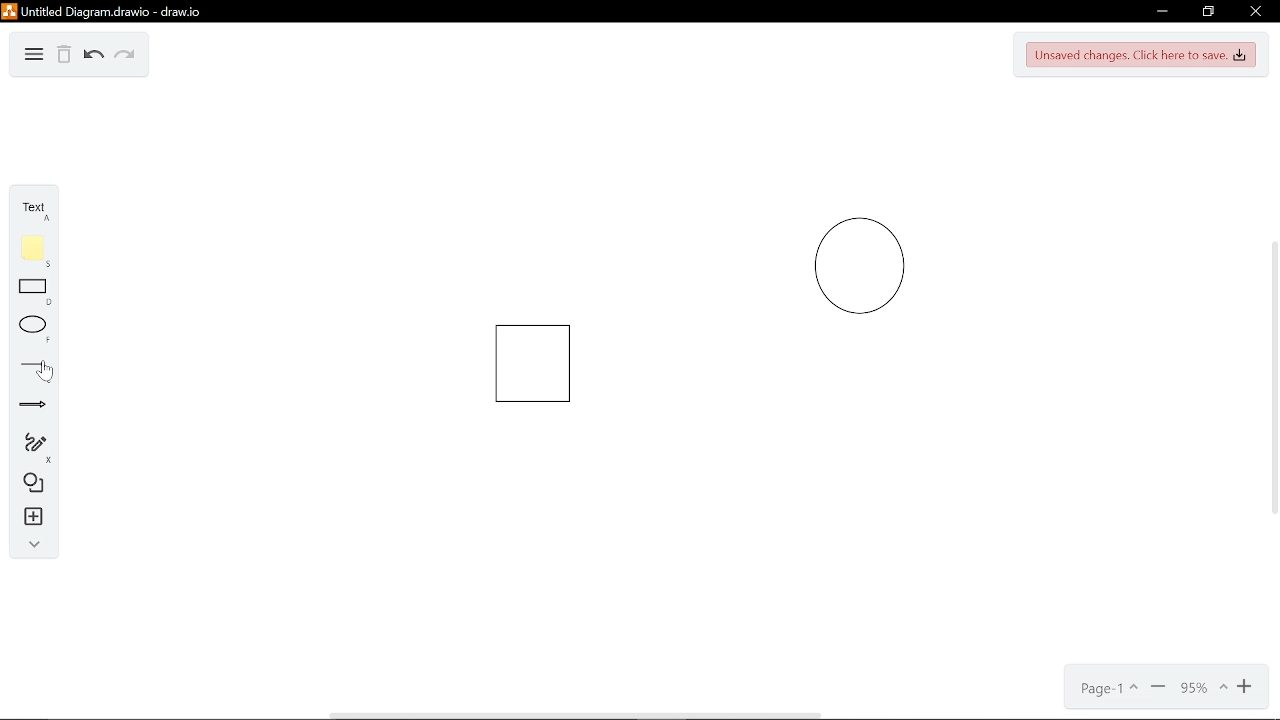 Image resolution: width=1280 pixels, height=720 pixels. Describe the element at coordinates (26, 406) in the screenshot. I see `Arrow` at that location.